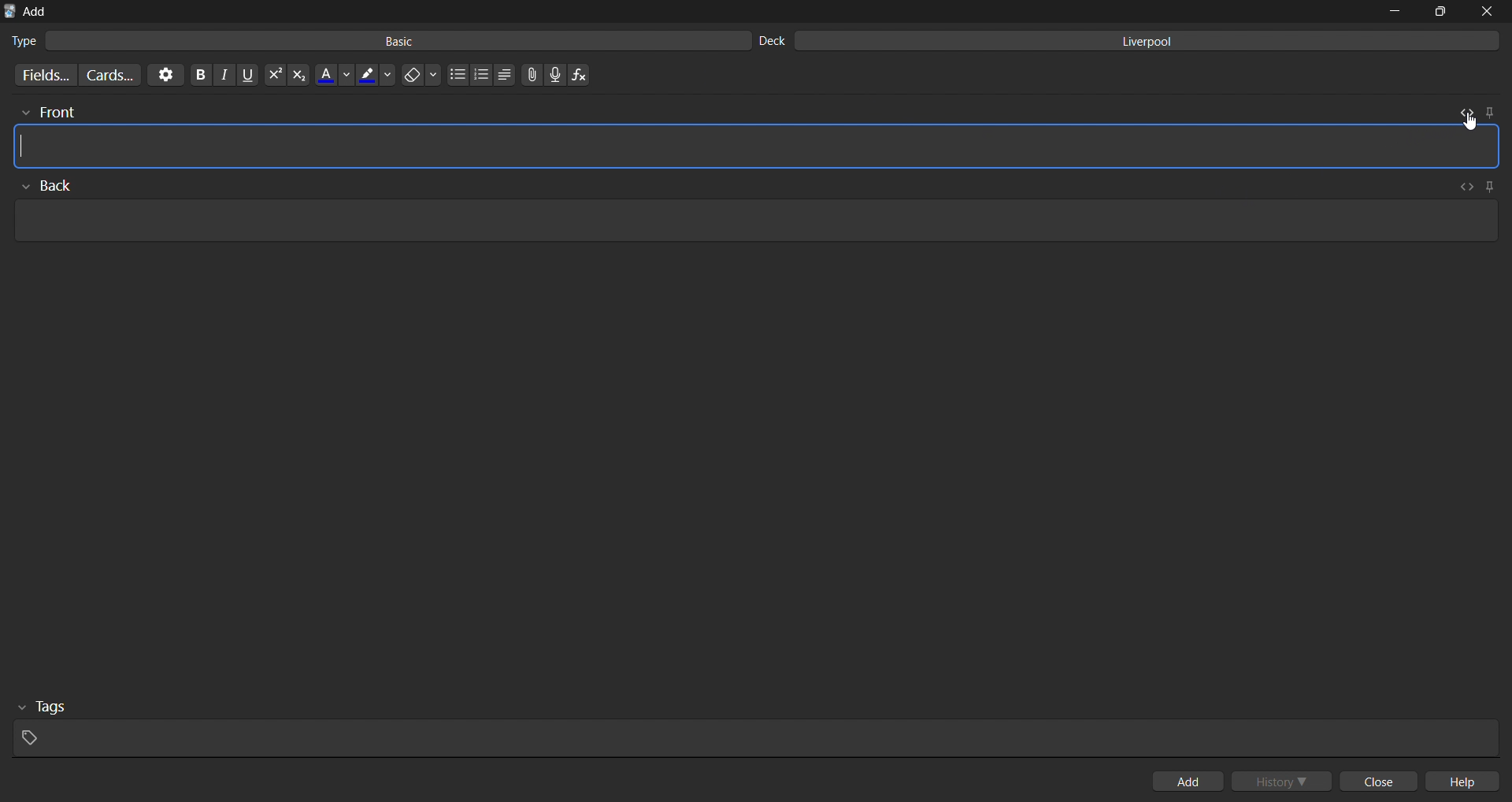 The height and width of the screenshot is (802, 1512). Describe the element at coordinates (376, 41) in the screenshot. I see `basic card type ` at that location.